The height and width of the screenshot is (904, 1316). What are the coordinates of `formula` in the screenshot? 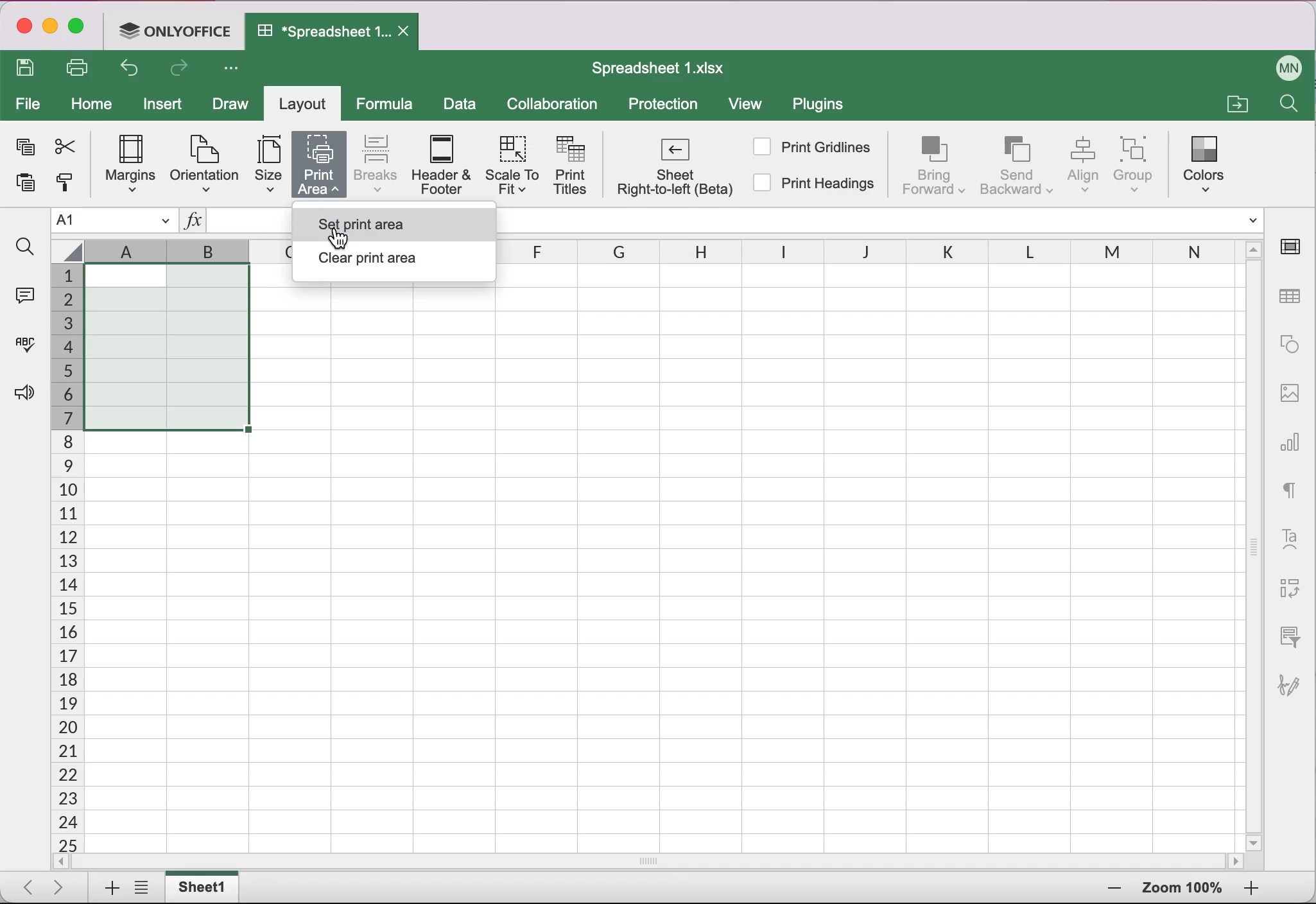 It's located at (388, 104).